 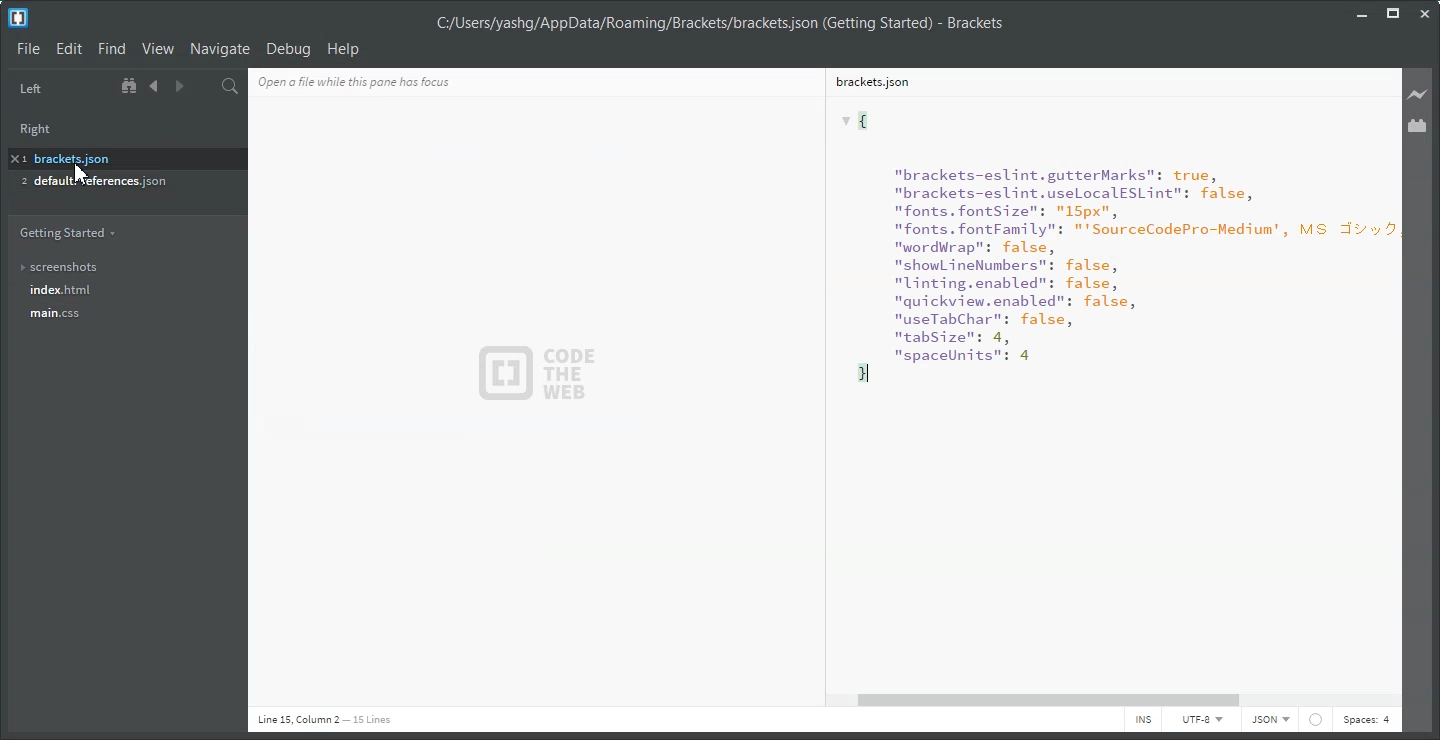 I want to click on Debug, so click(x=288, y=49).